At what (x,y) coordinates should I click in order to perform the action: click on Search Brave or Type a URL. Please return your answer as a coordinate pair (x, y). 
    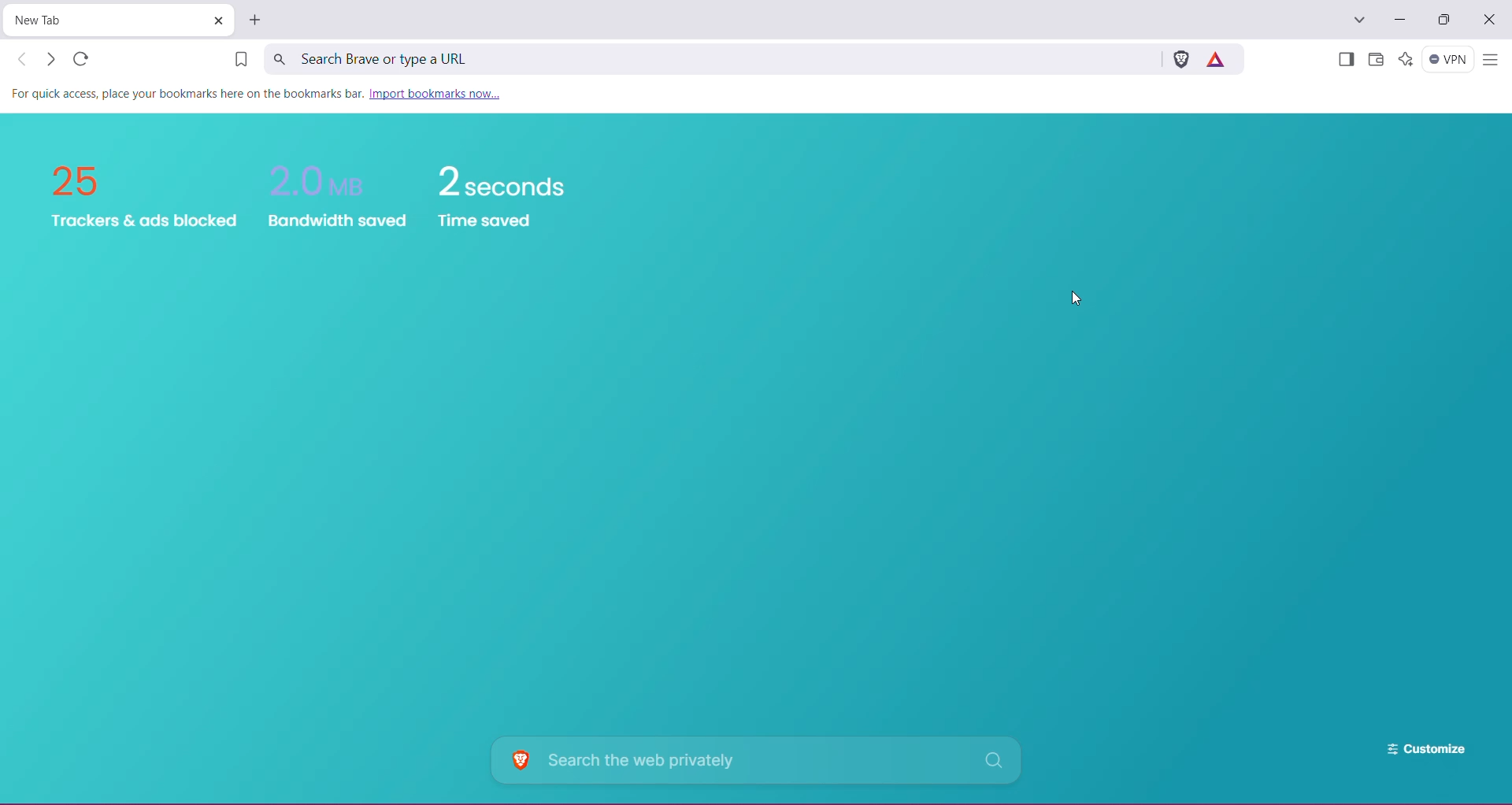
    Looking at the image, I should click on (710, 58).